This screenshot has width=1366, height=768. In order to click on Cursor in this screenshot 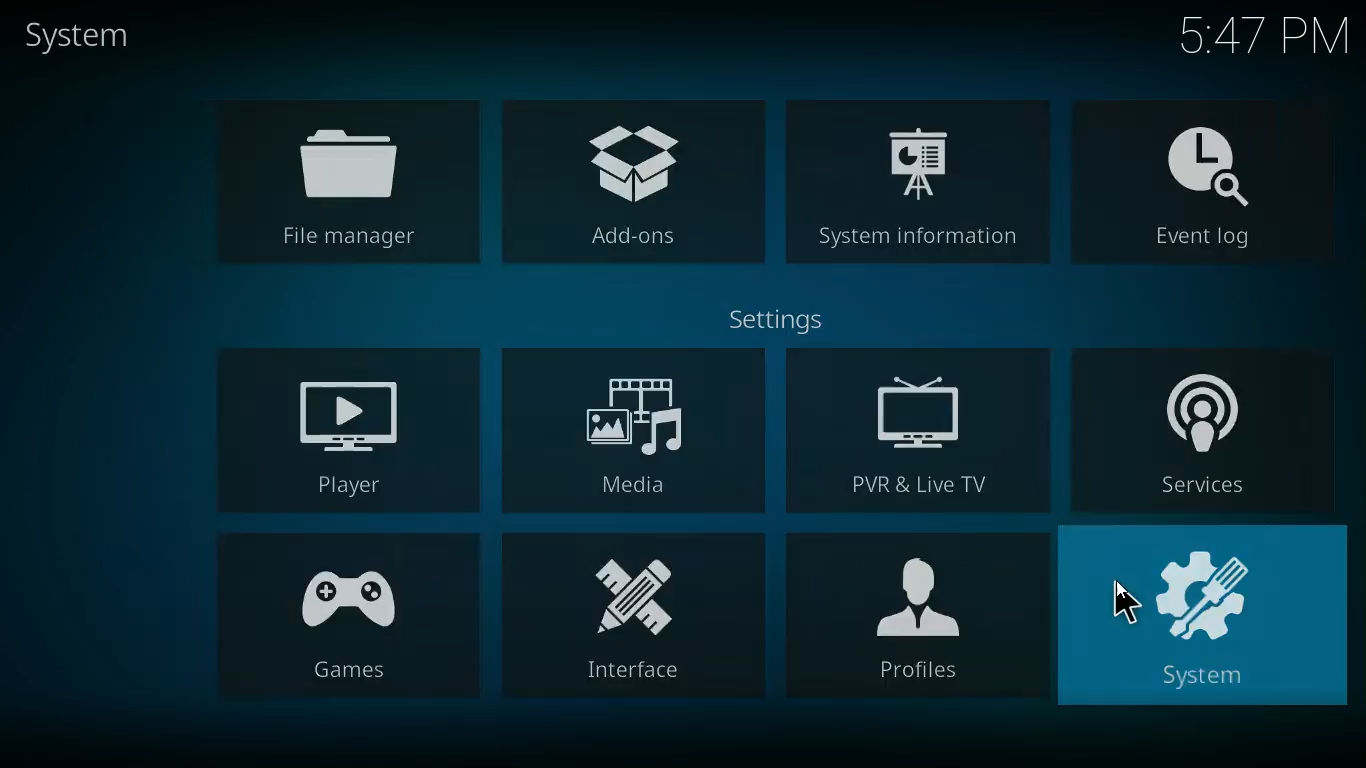, I will do `click(1128, 605)`.